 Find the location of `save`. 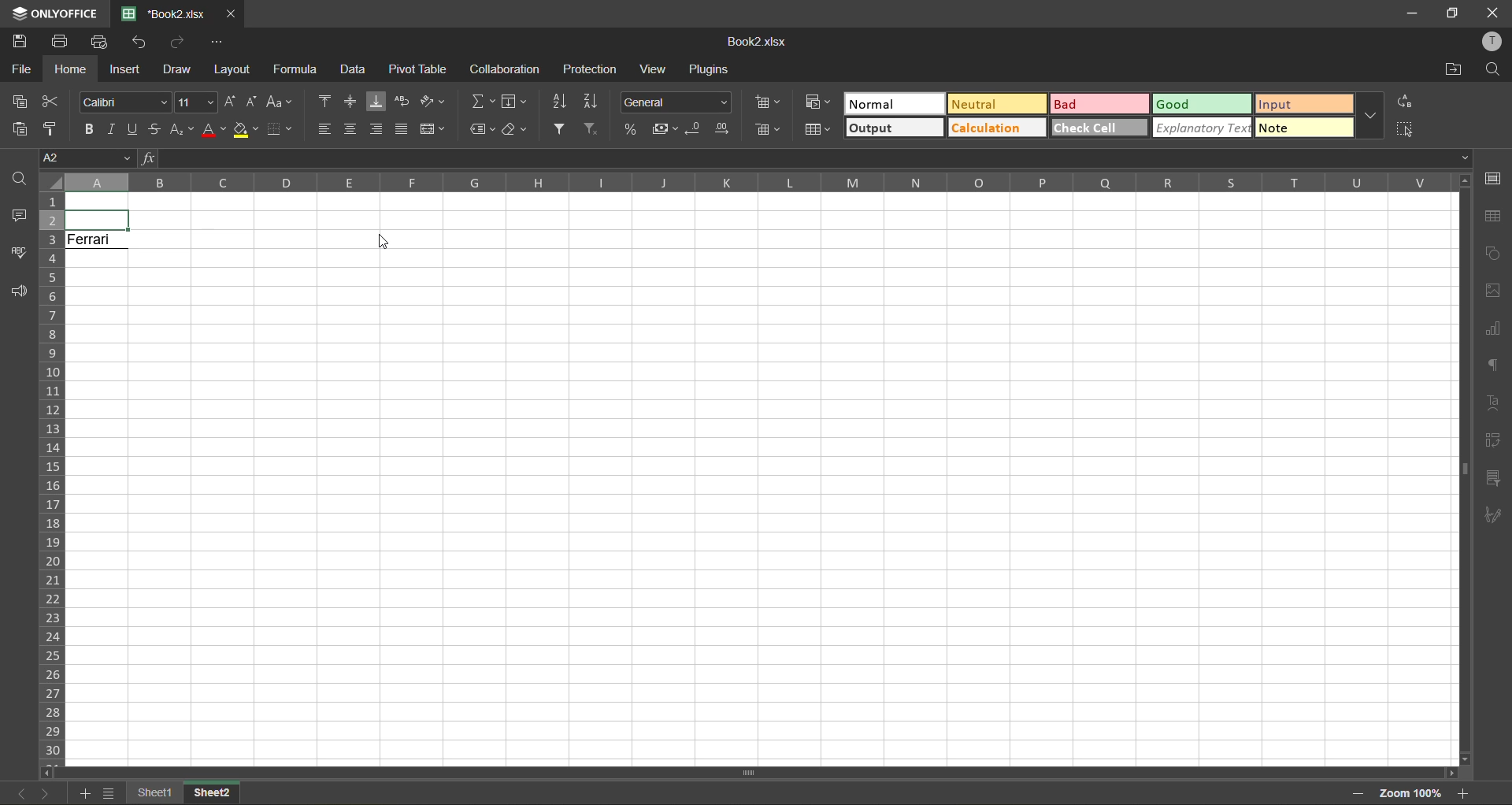

save is located at coordinates (21, 42).